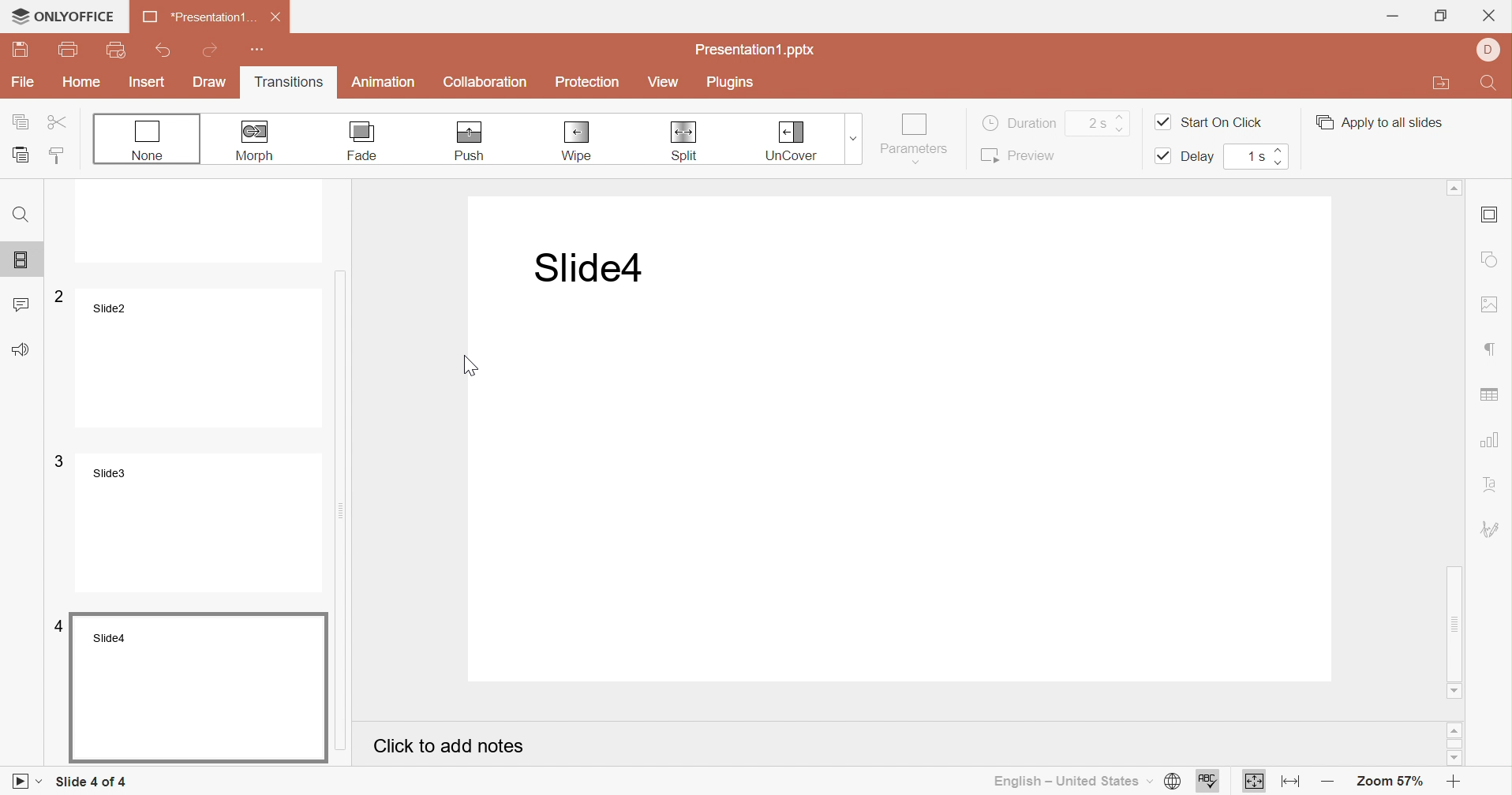 Image resolution: width=1512 pixels, height=795 pixels. Describe the element at coordinates (1454, 784) in the screenshot. I see `Zoom in` at that location.